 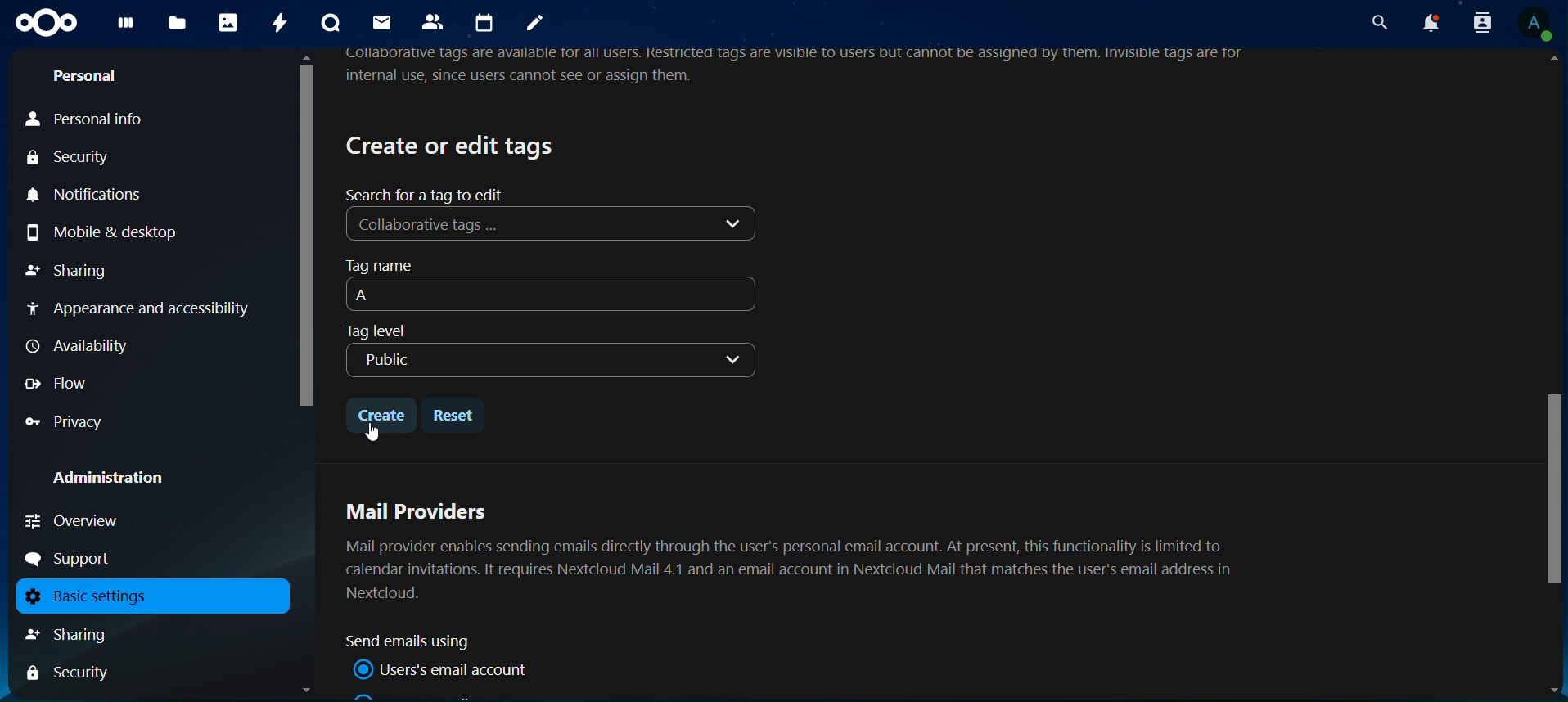 I want to click on mail, so click(x=381, y=22).